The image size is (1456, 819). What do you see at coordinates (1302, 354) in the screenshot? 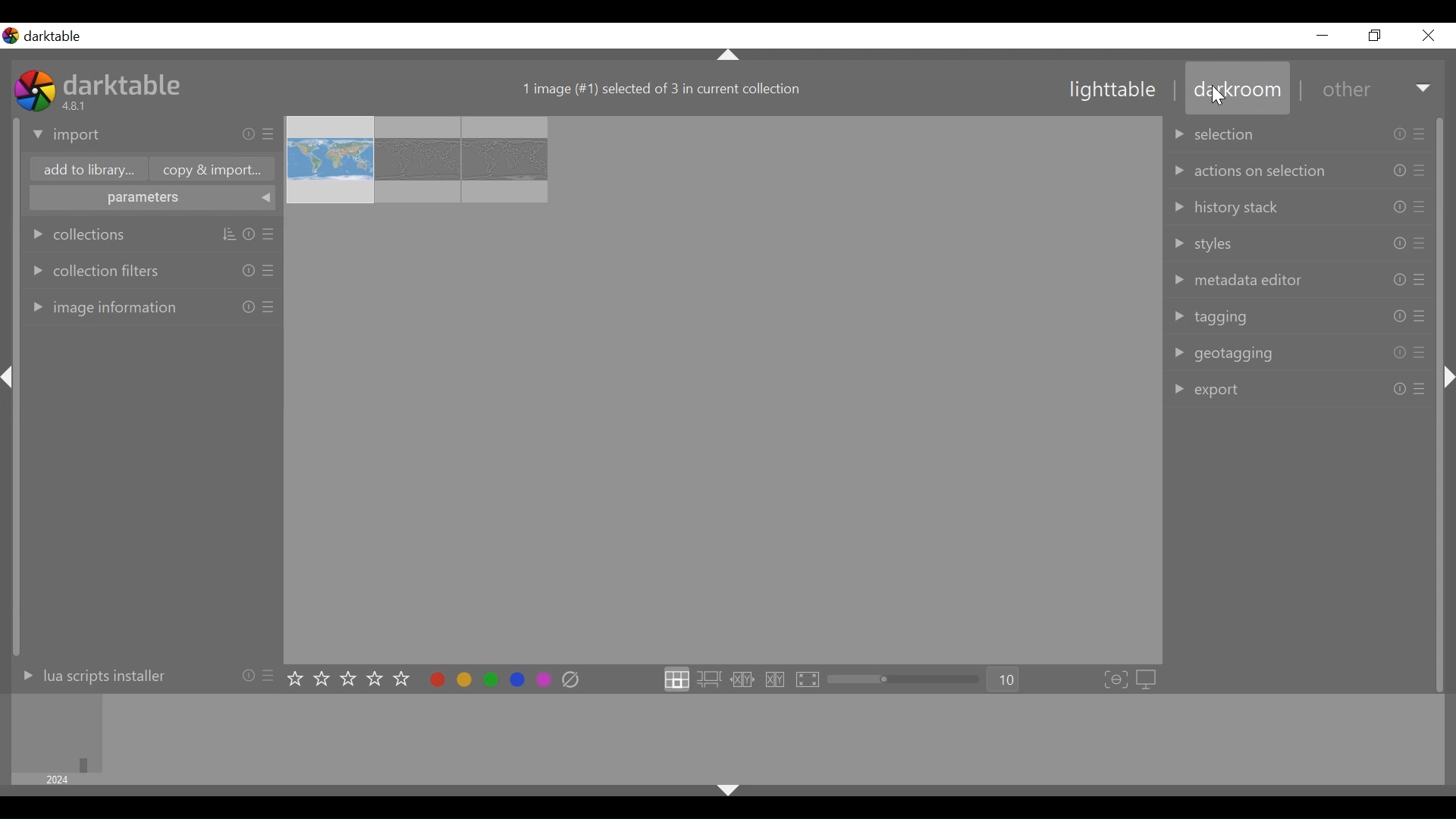
I see `geotagging` at bounding box center [1302, 354].